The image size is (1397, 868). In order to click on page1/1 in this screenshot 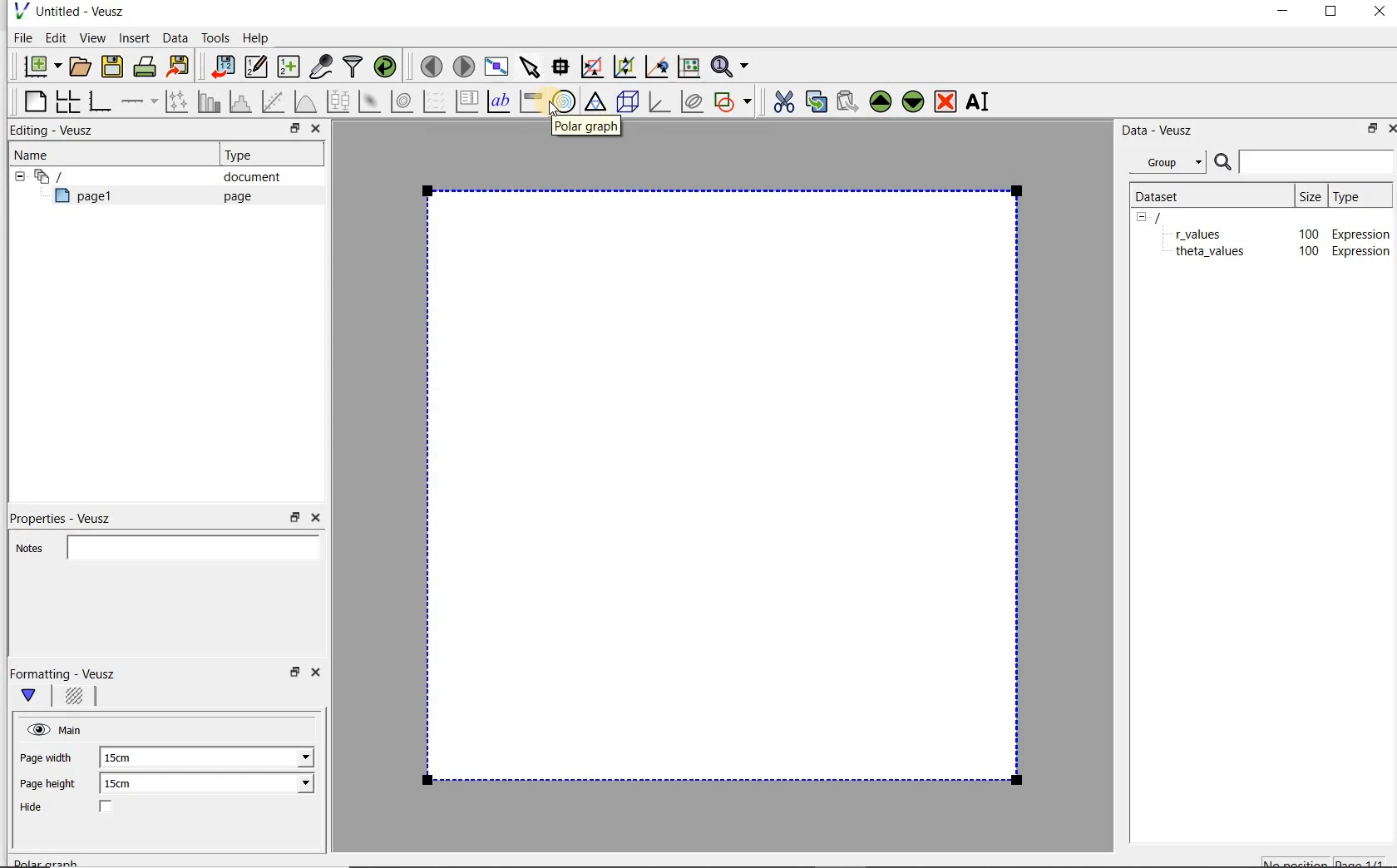, I will do `click(1366, 861)`.